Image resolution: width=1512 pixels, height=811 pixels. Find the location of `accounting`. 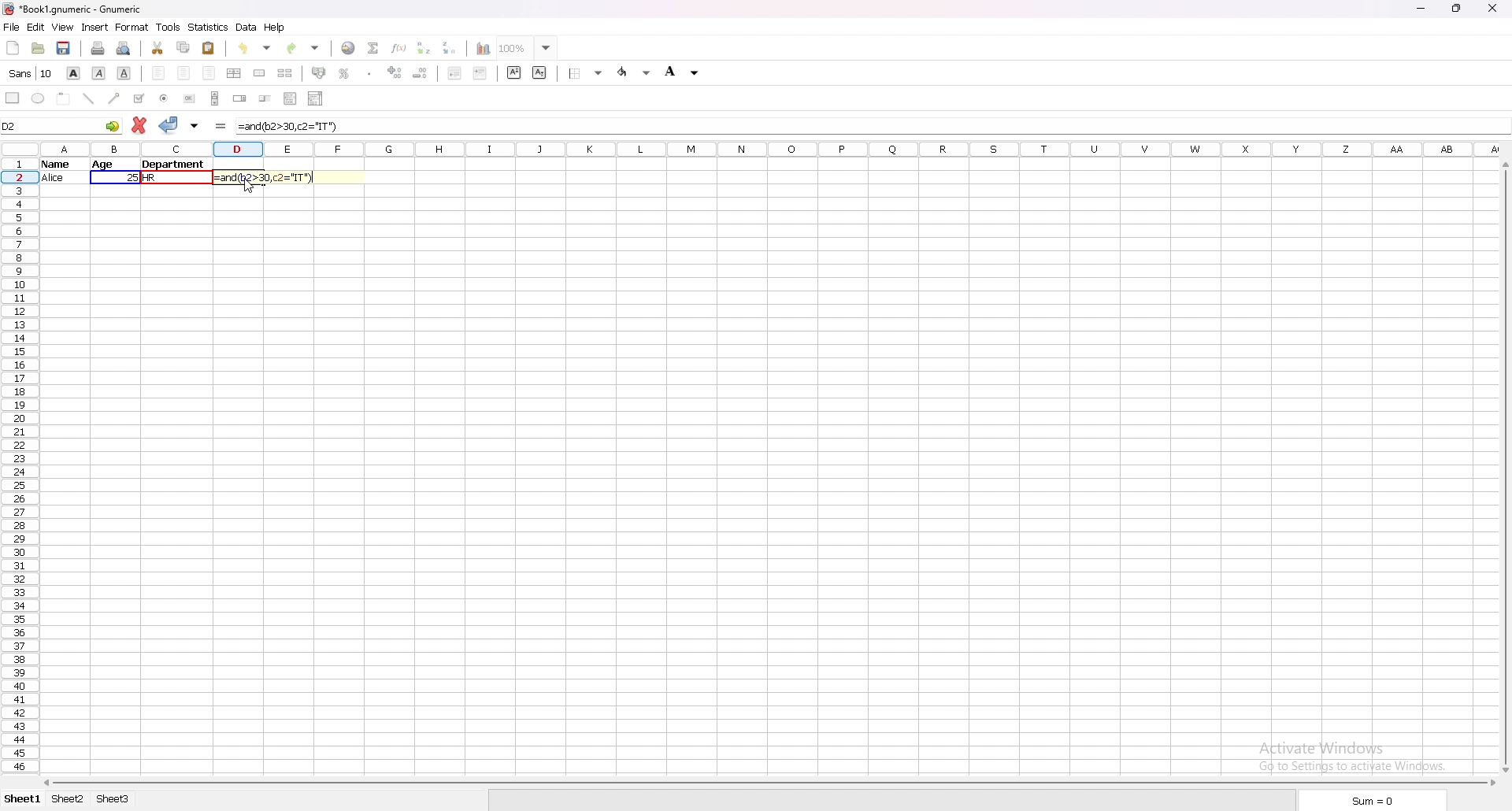

accounting is located at coordinates (318, 72).